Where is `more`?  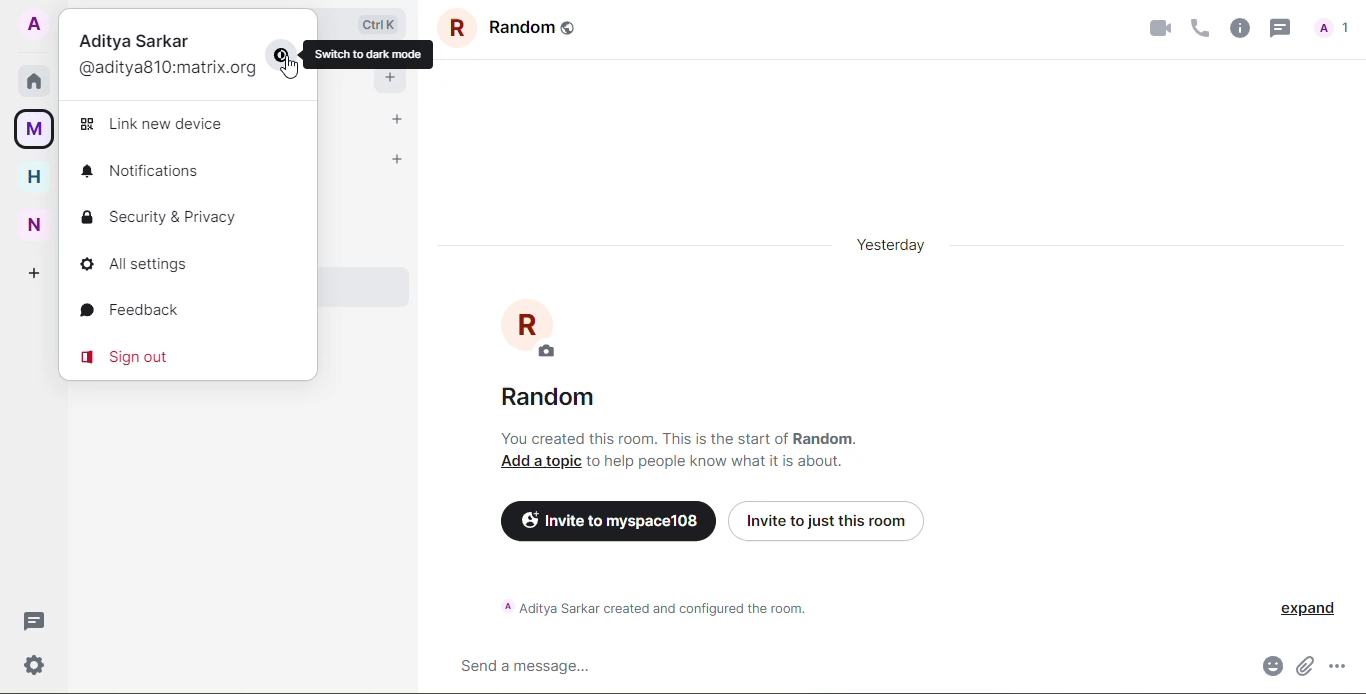
more is located at coordinates (1340, 666).